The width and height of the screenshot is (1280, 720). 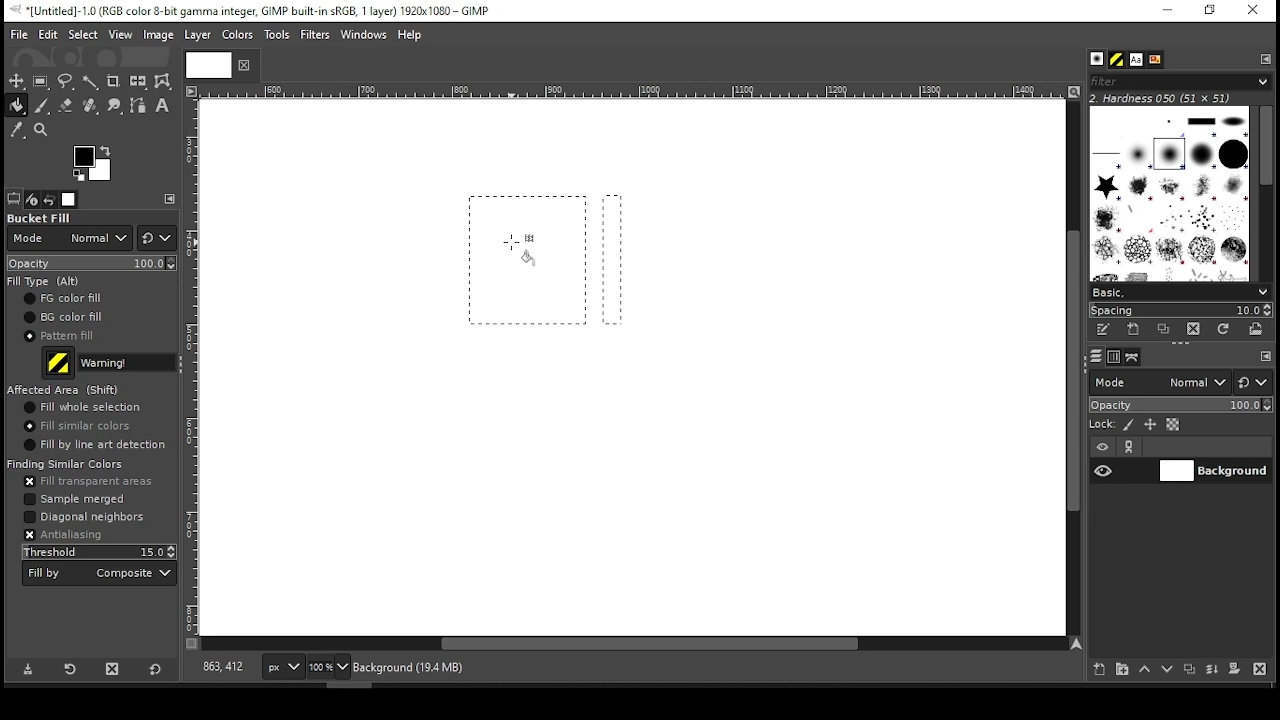 What do you see at coordinates (196, 35) in the screenshot?
I see `layer` at bounding box center [196, 35].